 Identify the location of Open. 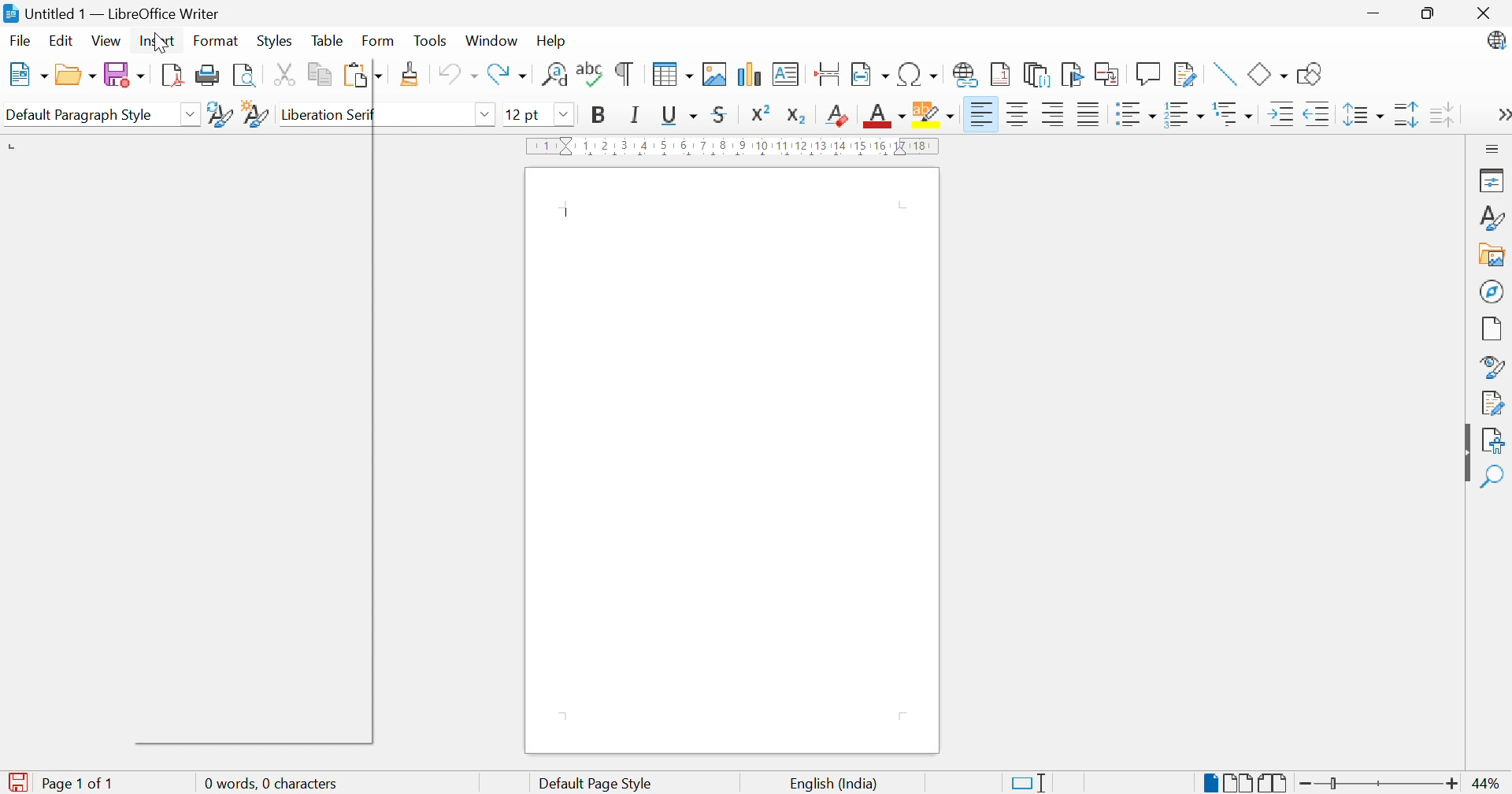
(75, 77).